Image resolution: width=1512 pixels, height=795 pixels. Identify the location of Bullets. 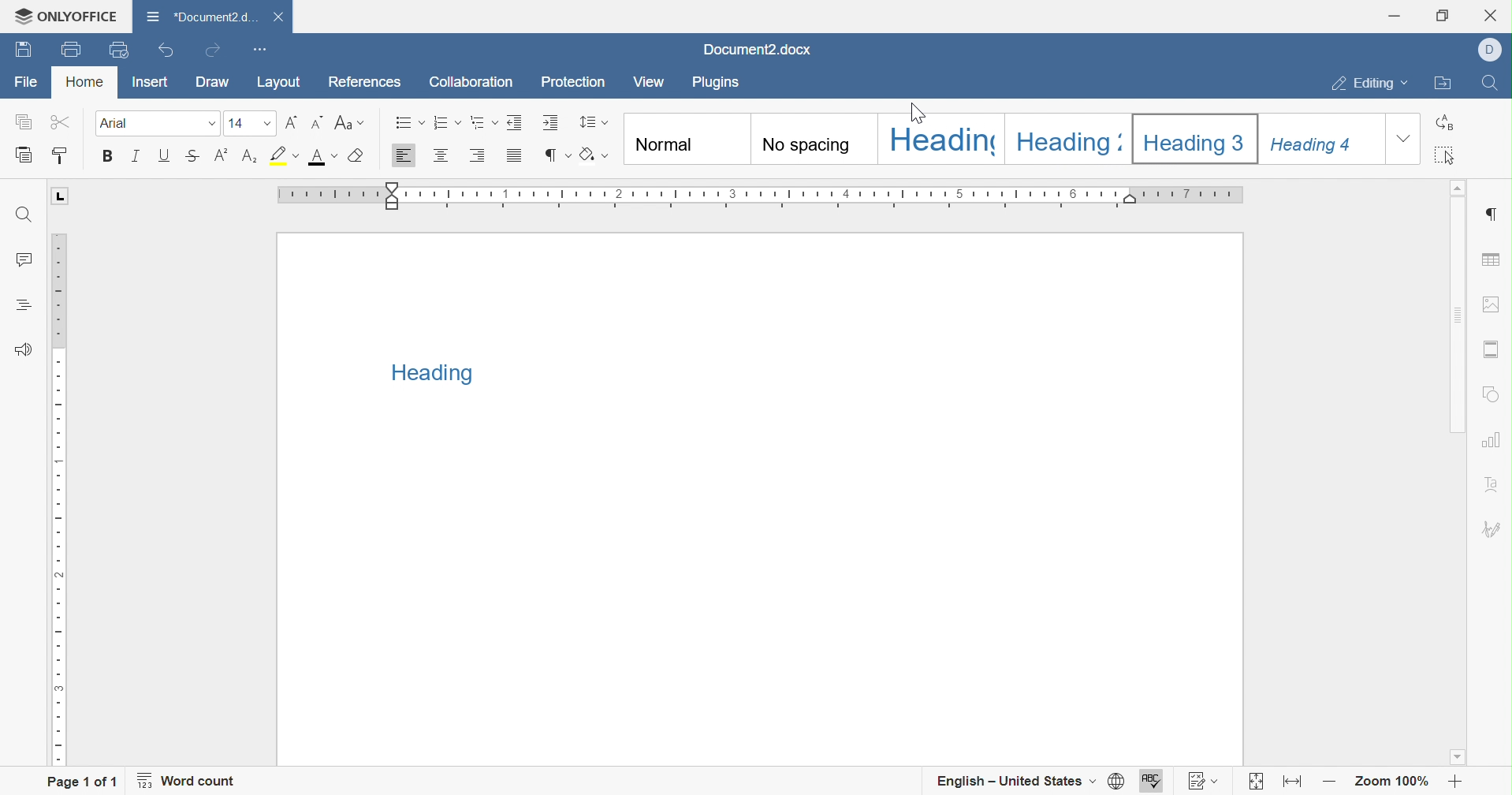
(407, 123).